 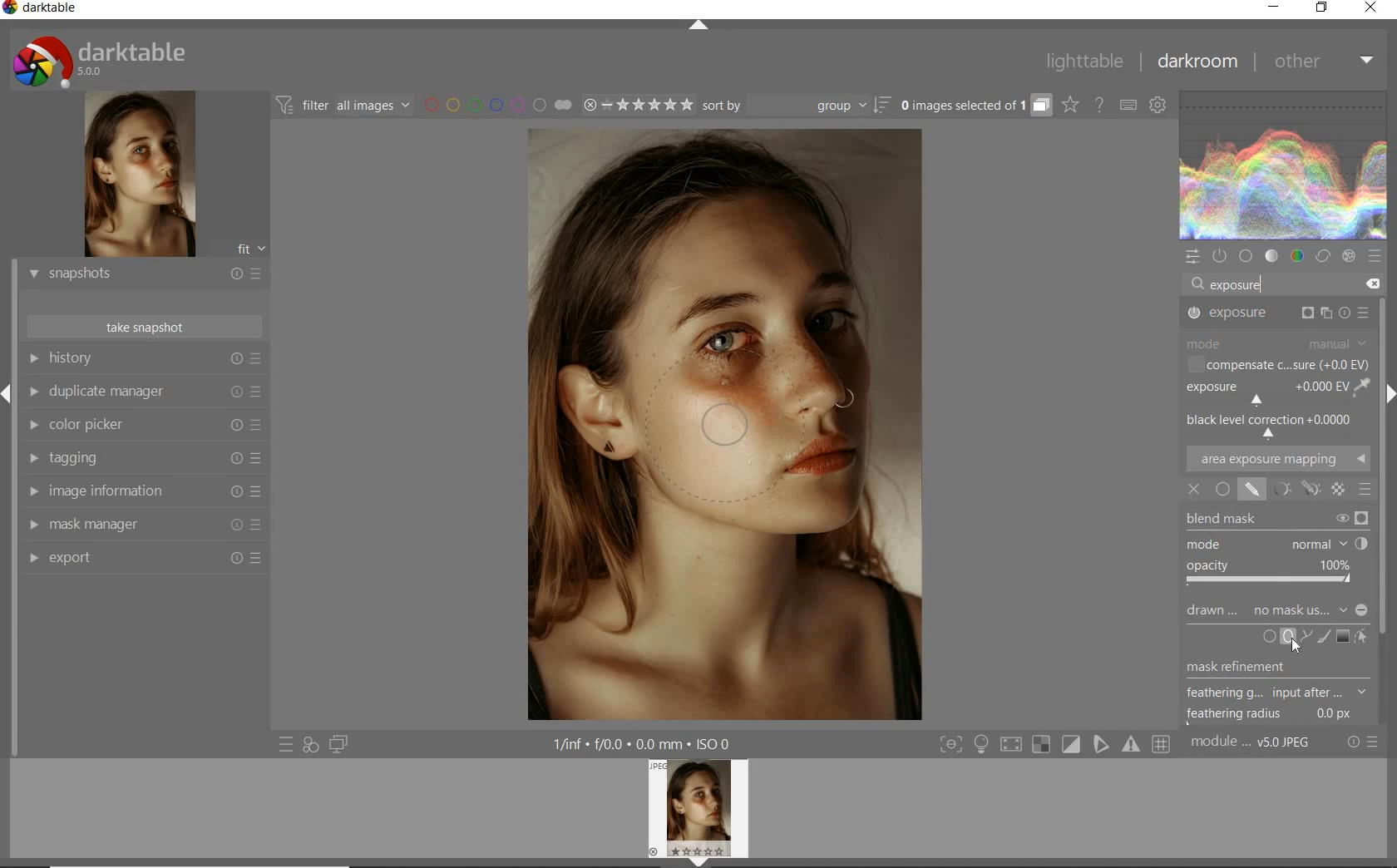 What do you see at coordinates (343, 105) in the screenshot?
I see `filter images based on their modules` at bounding box center [343, 105].